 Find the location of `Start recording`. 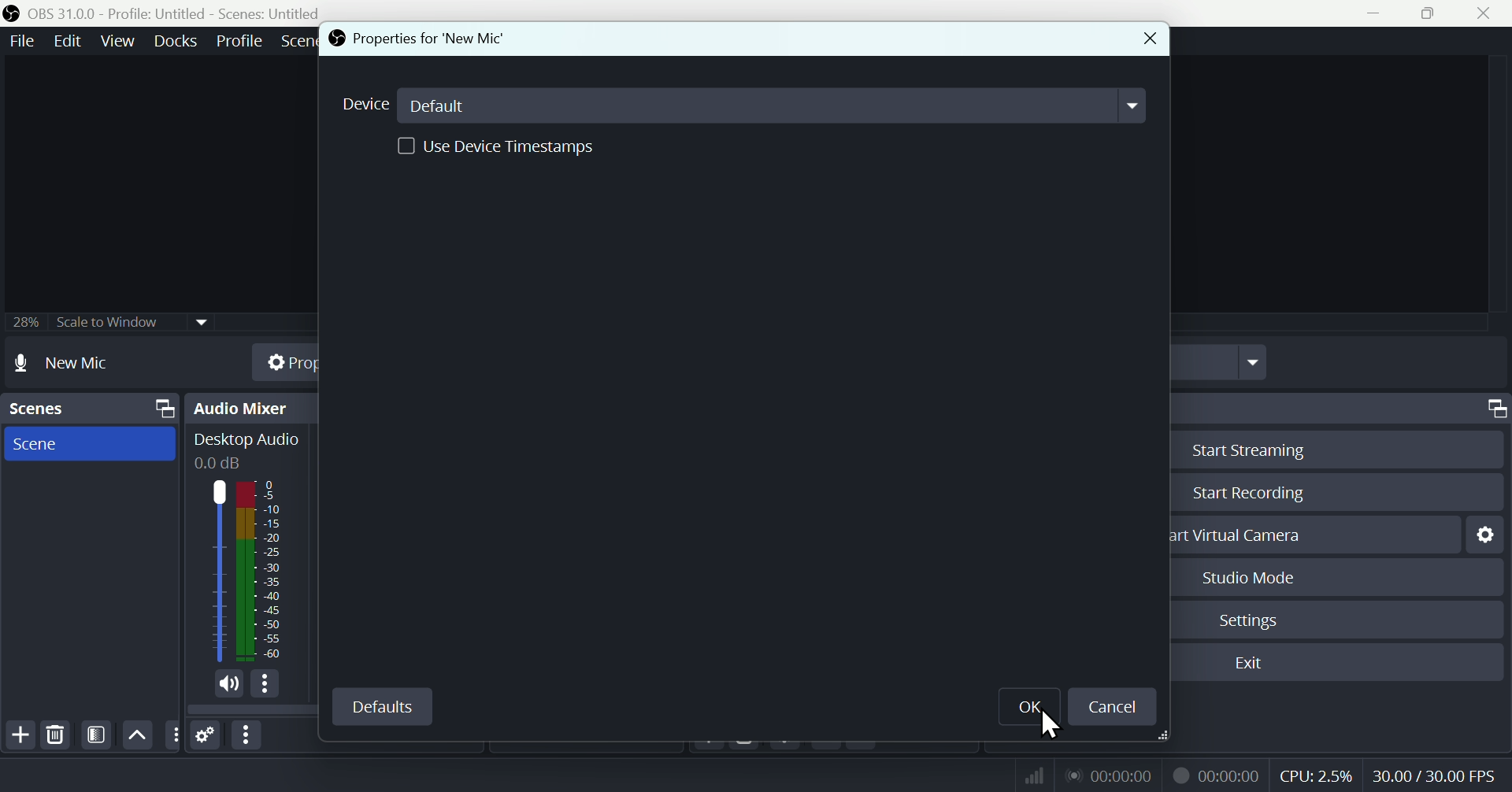

Start recording is located at coordinates (1251, 492).